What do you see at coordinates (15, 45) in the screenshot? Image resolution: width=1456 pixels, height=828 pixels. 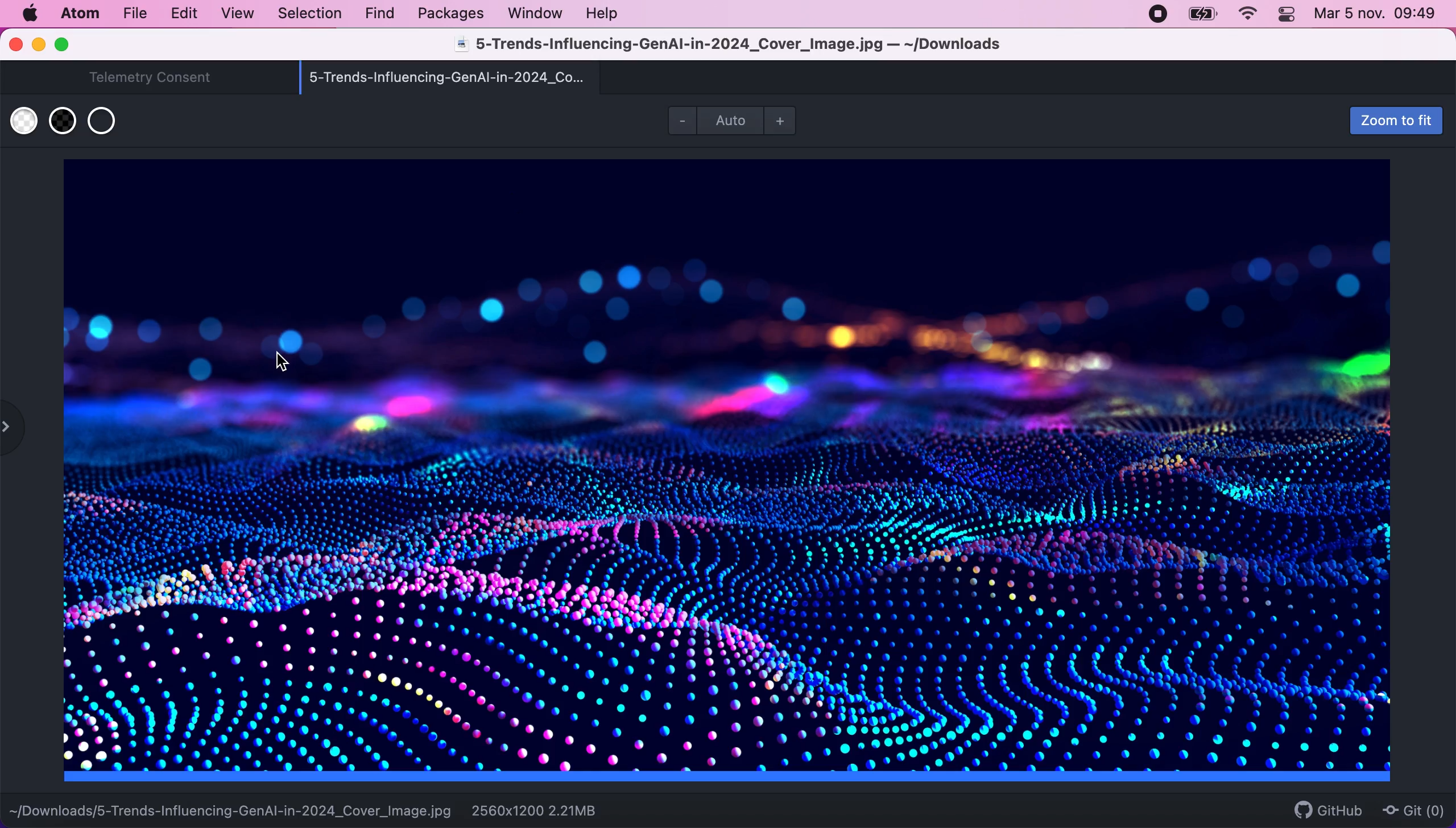 I see `close` at bounding box center [15, 45].